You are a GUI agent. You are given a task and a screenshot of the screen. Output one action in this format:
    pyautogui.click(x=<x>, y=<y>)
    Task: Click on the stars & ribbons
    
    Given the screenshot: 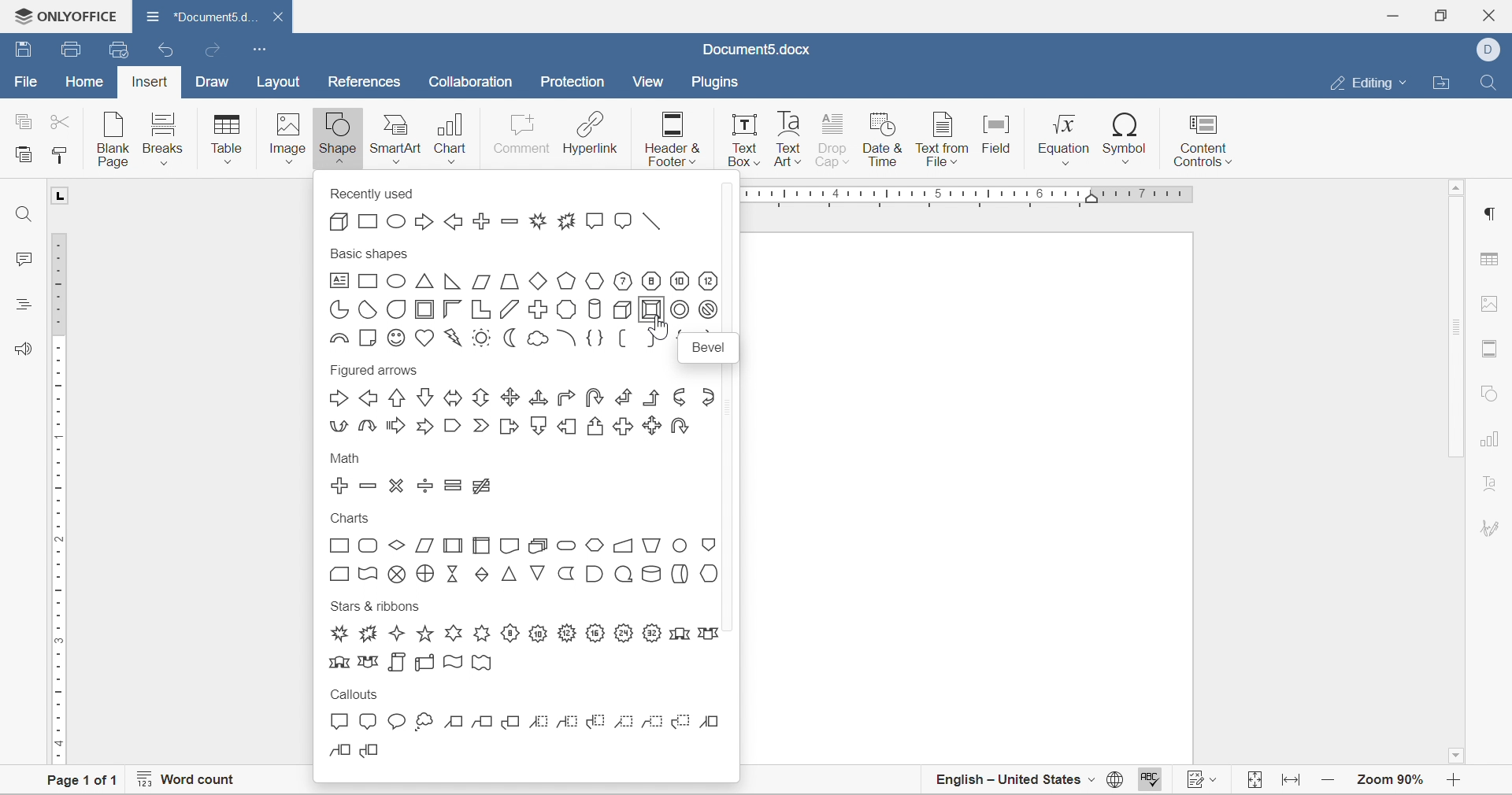 What is the action you would take?
    pyautogui.click(x=520, y=639)
    